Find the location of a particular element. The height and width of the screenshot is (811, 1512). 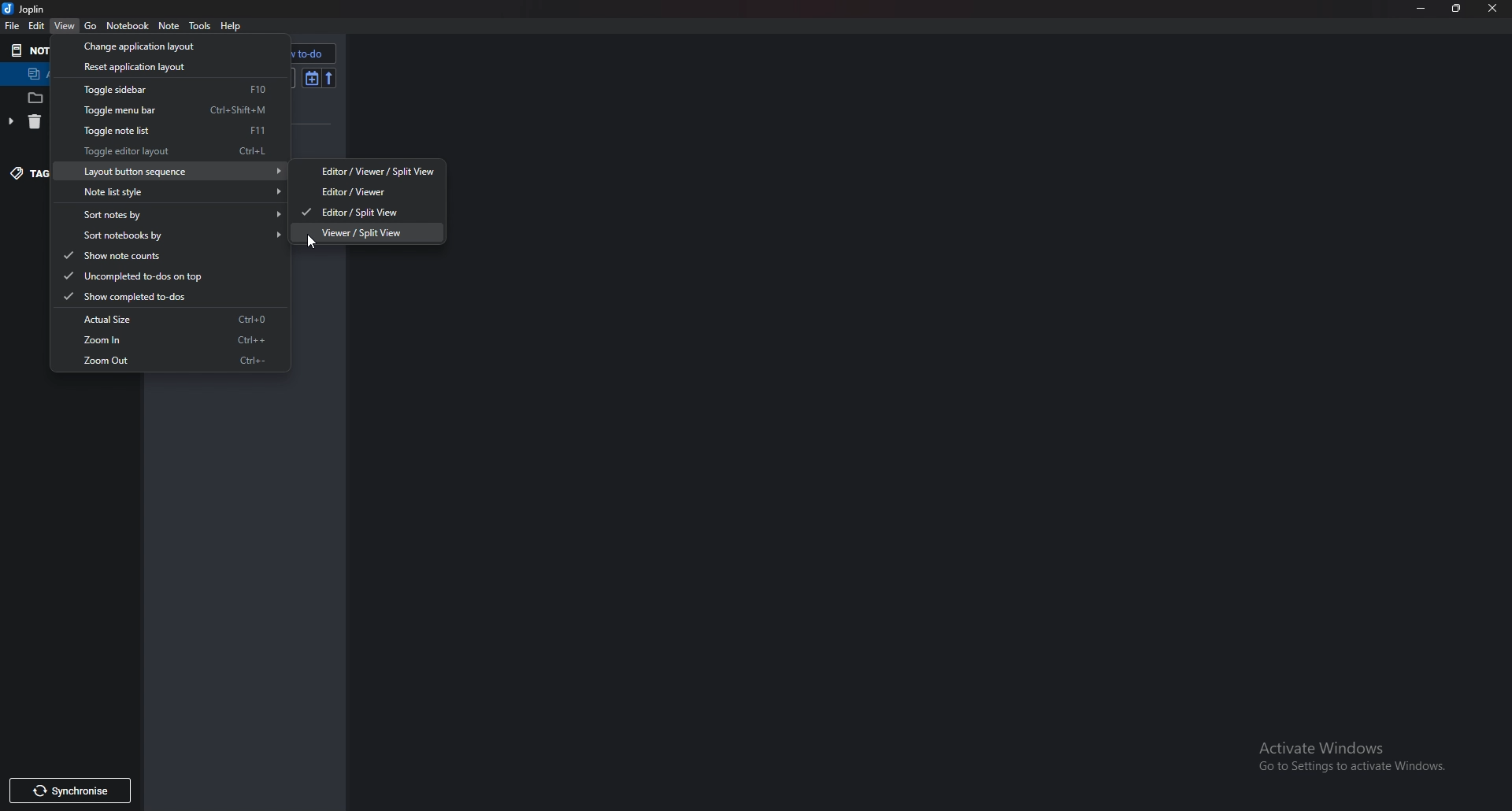

edit is located at coordinates (38, 25).